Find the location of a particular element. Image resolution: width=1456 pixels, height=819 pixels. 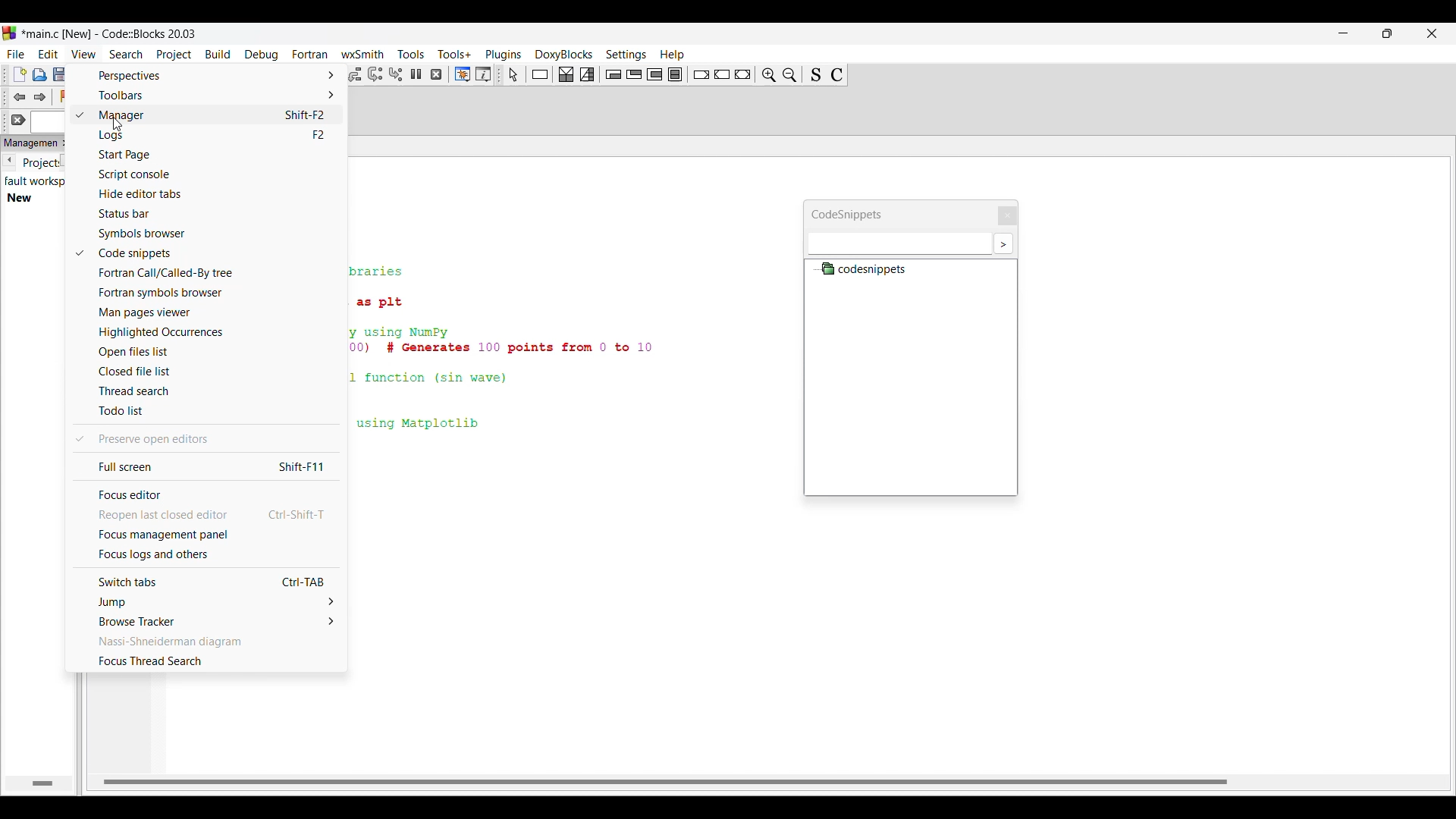

Block instruction is located at coordinates (675, 74).